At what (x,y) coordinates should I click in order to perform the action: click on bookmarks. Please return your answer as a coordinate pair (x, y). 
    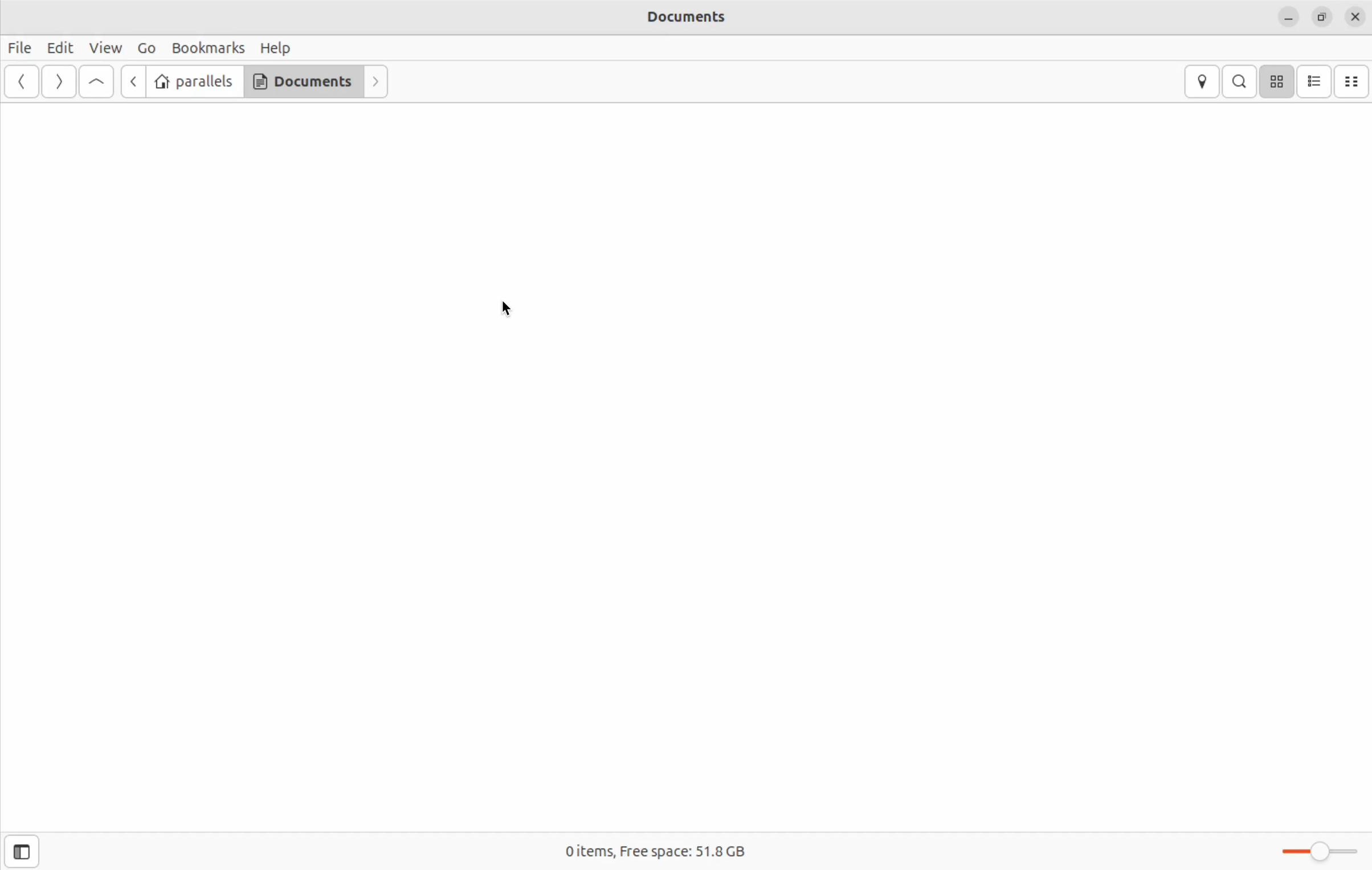
    Looking at the image, I should click on (207, 48).